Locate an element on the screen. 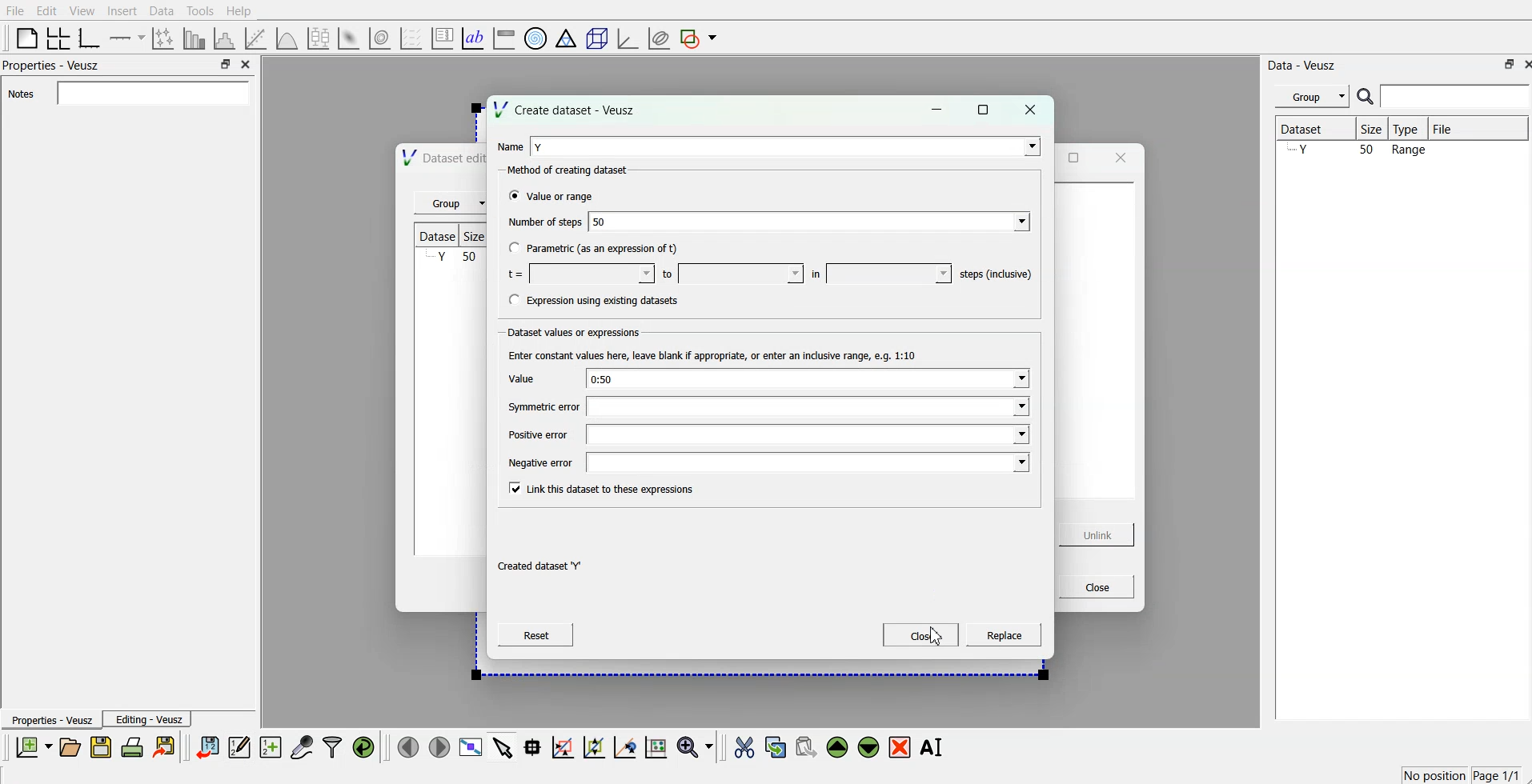  create new datasets is located at coordinates (271, 748).